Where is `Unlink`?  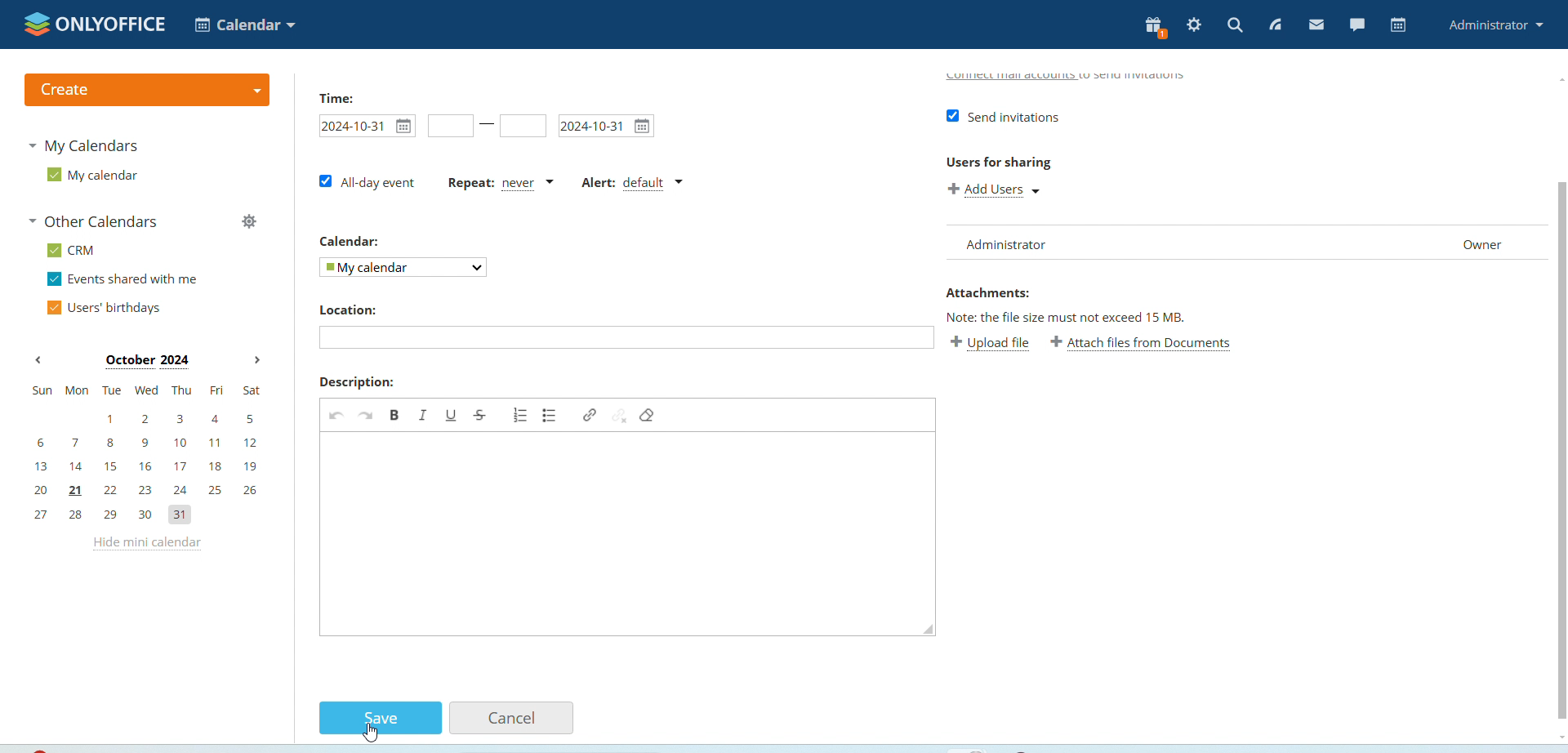 Unlink is located at coordinates (619, 415).